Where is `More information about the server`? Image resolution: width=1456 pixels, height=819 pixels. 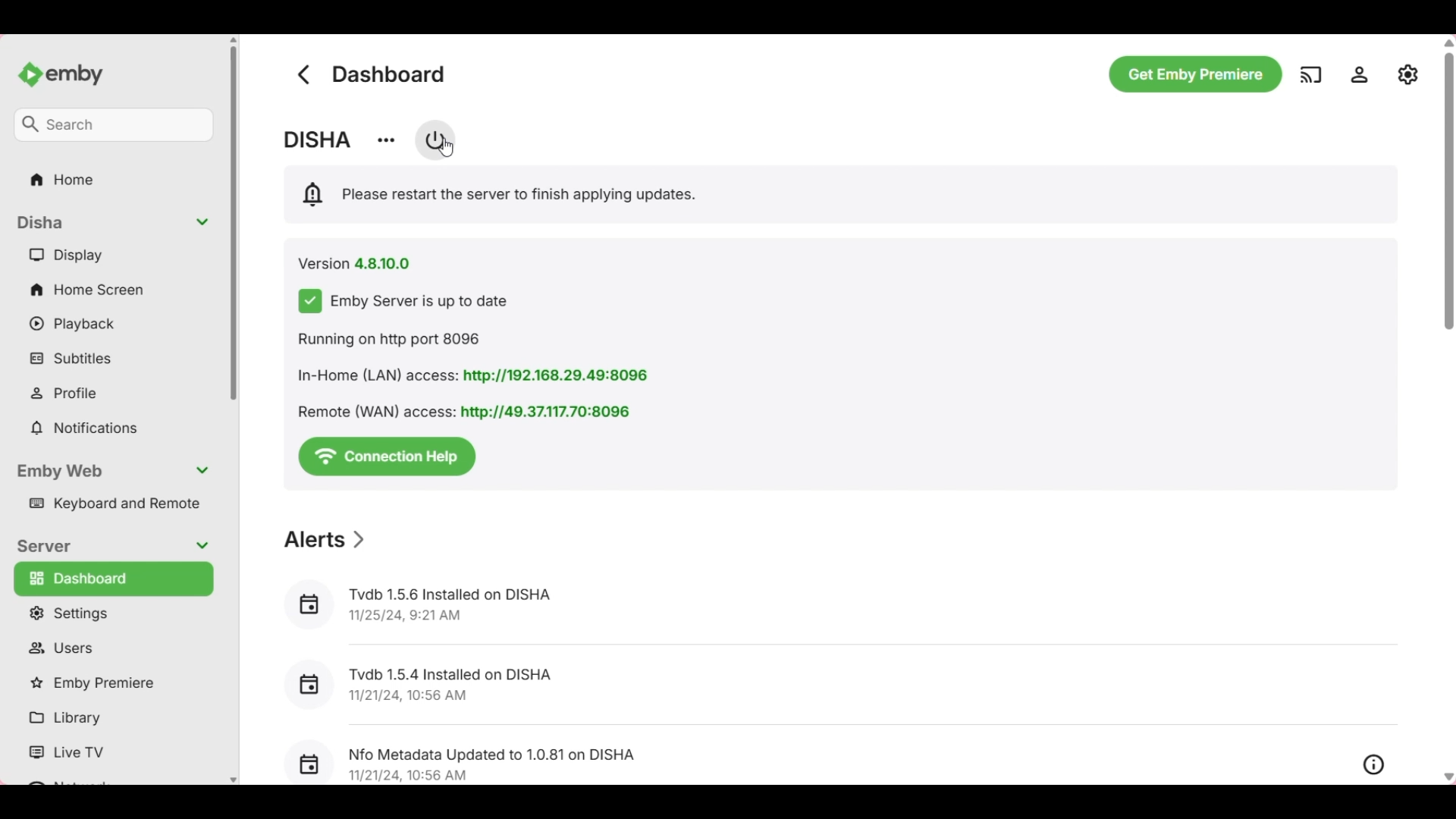
More information about the server is located at coordinates (479, 376).